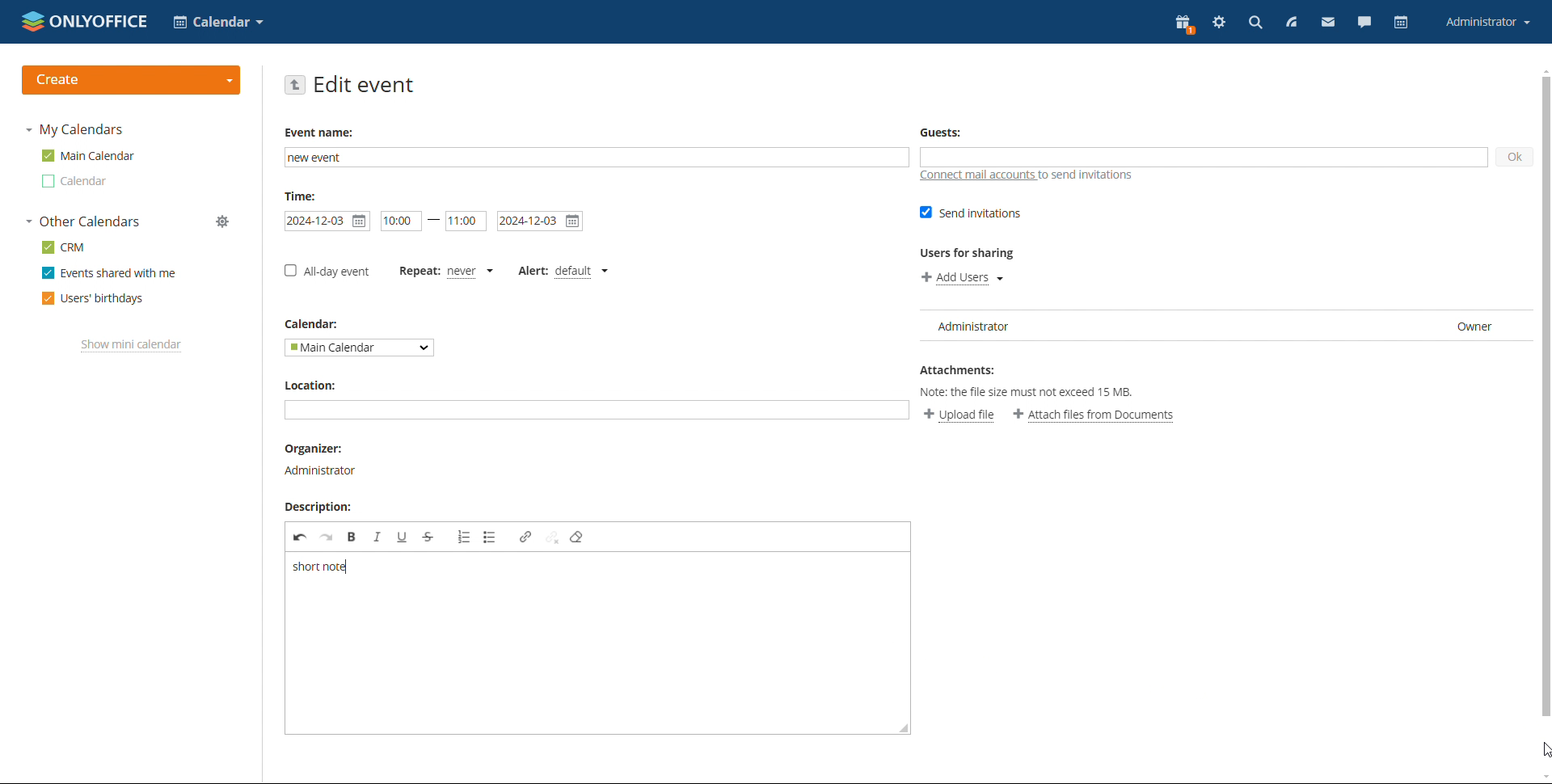 The height and width of the screenshot is (784, 1552). What do you see at coordinates (596, 410) in the screenshot?
I see `add location` at bounding box center [596, 410].